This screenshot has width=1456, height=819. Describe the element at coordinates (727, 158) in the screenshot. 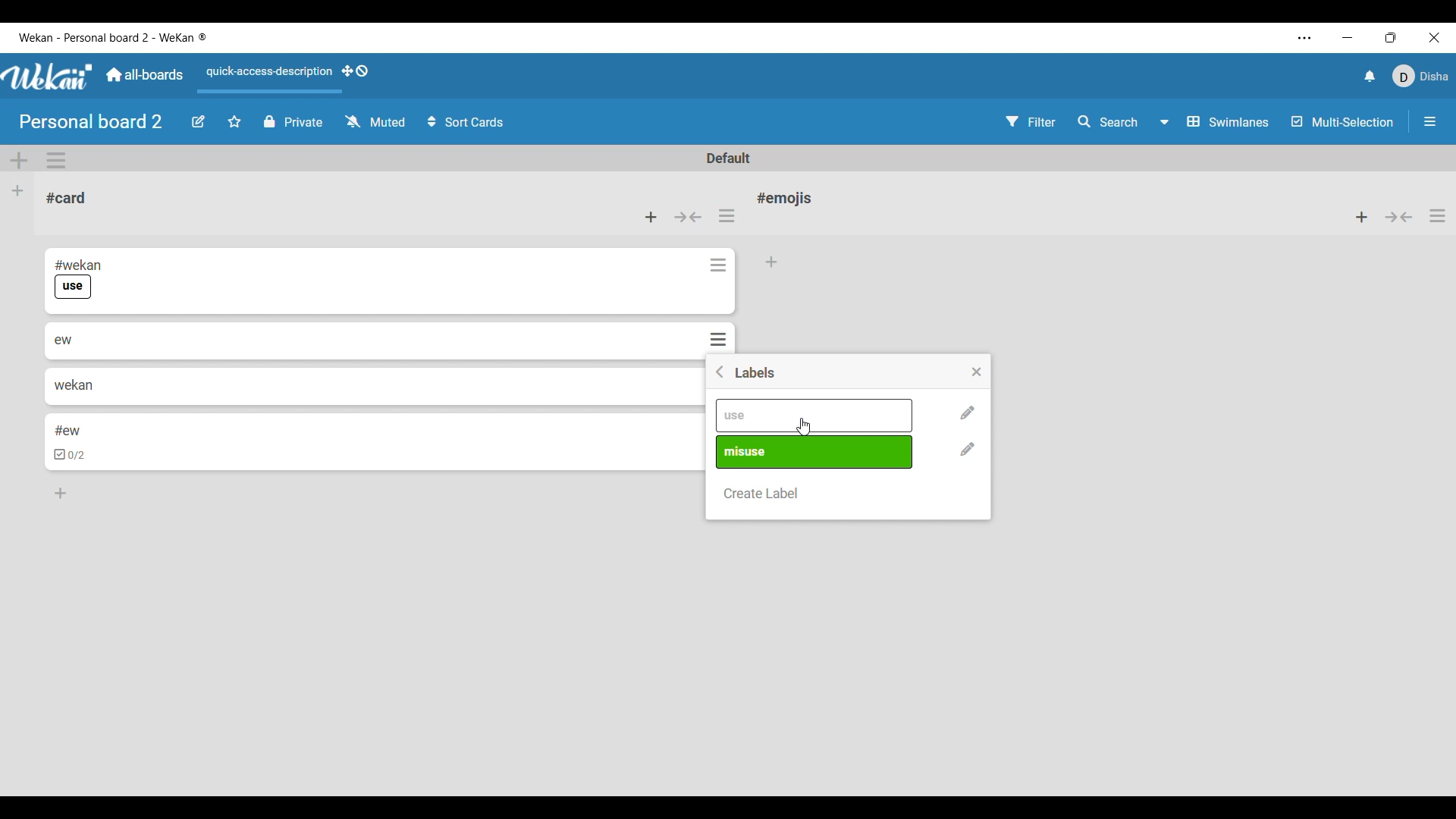

I see `Default` at that location.